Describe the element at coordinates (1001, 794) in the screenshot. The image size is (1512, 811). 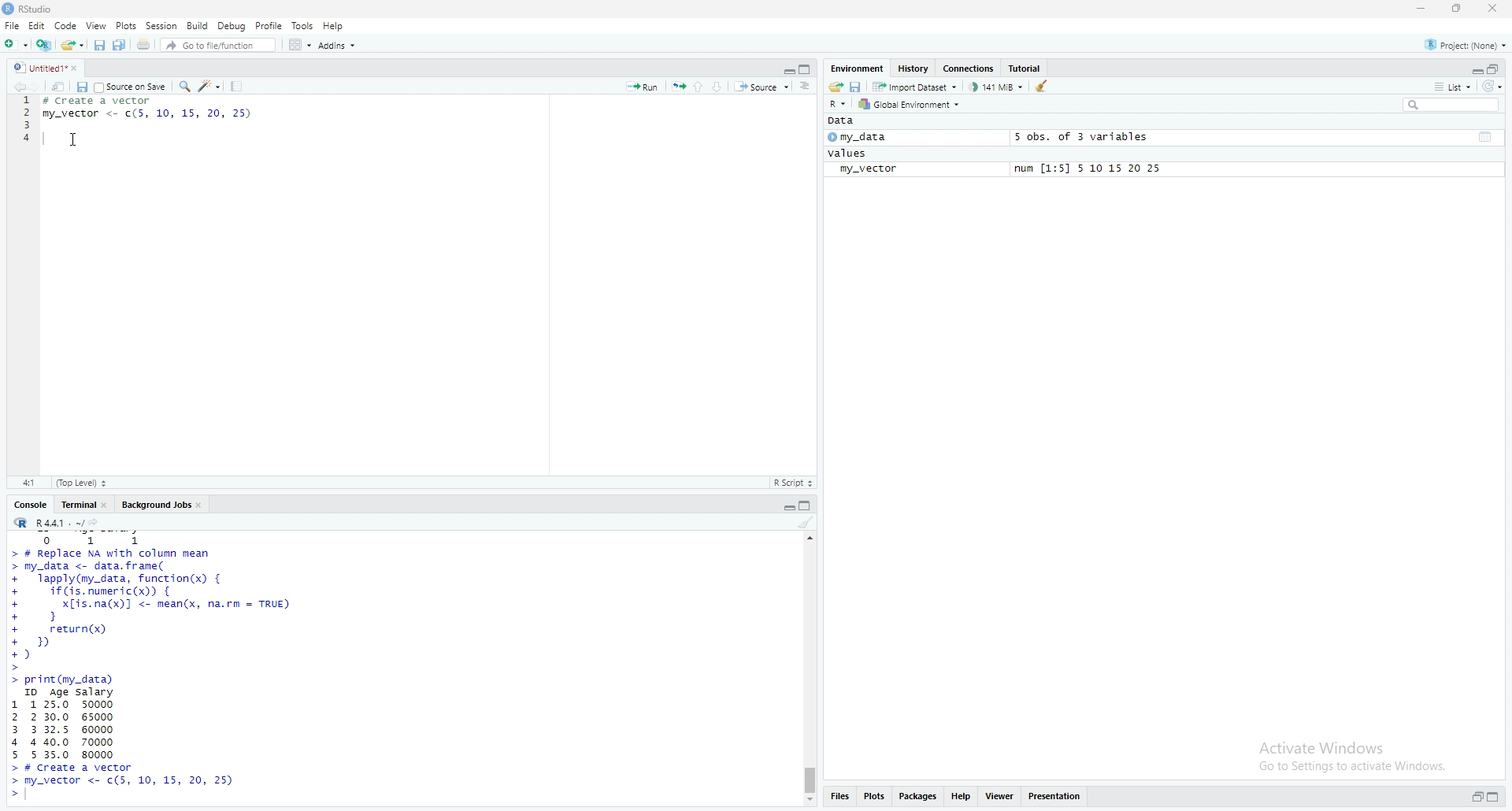
I see `viewer` at that location.